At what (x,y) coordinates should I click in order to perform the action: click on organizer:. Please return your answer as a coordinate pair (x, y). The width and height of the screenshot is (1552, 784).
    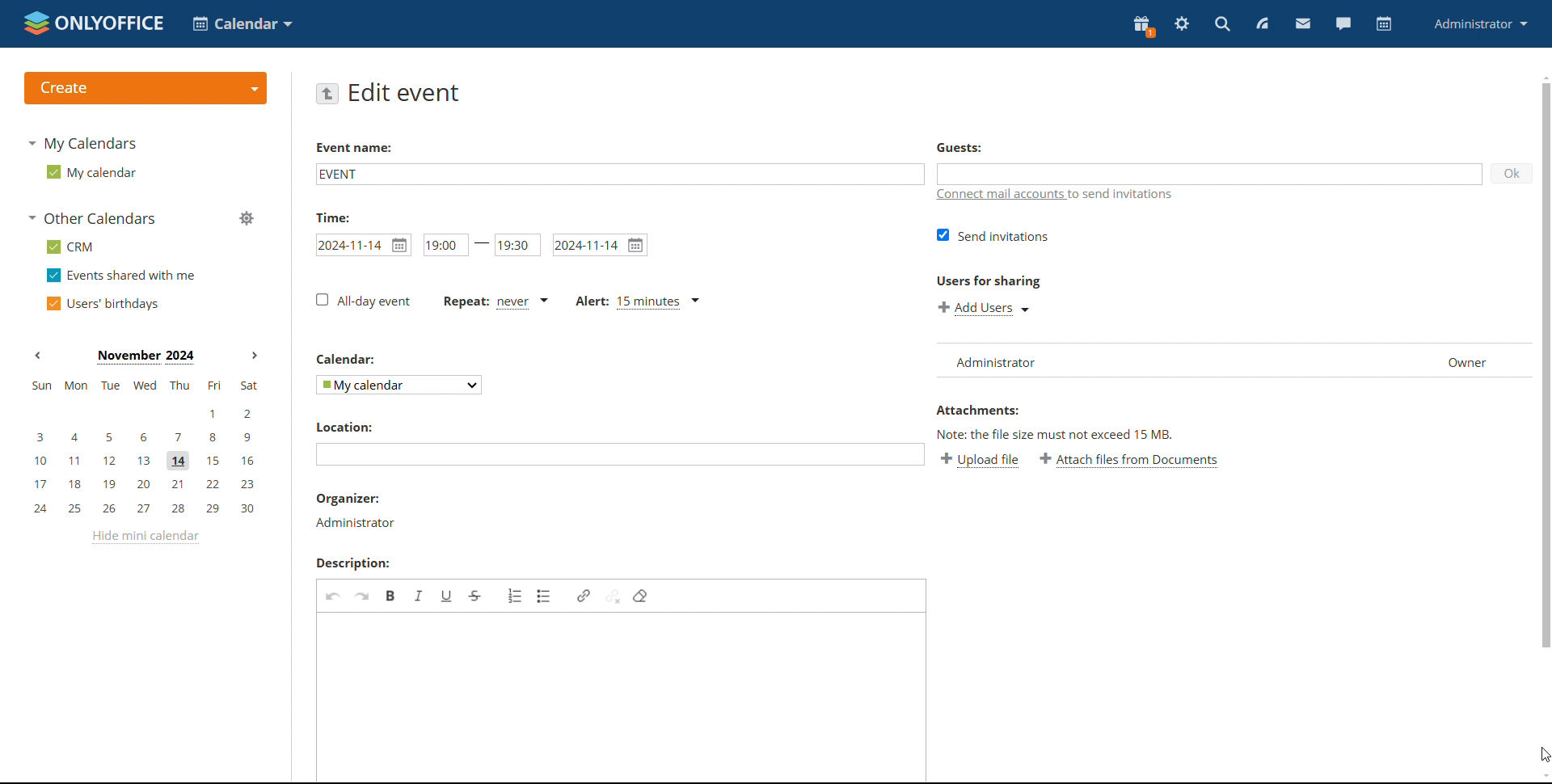
    Looking at the image, I should click on (349, 499).